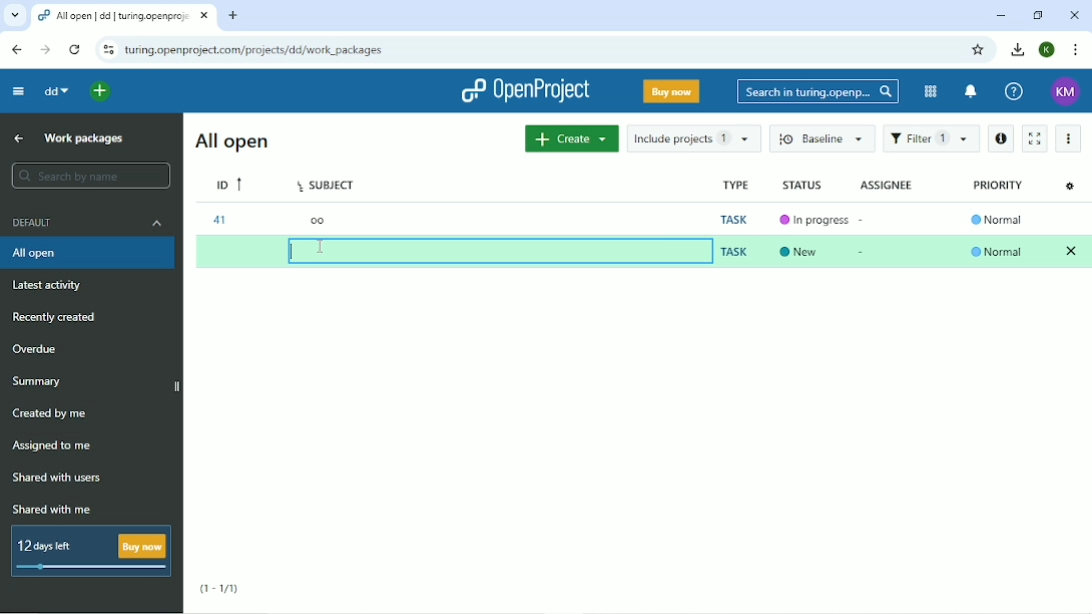  I want to click on dd, so click(56, 91).